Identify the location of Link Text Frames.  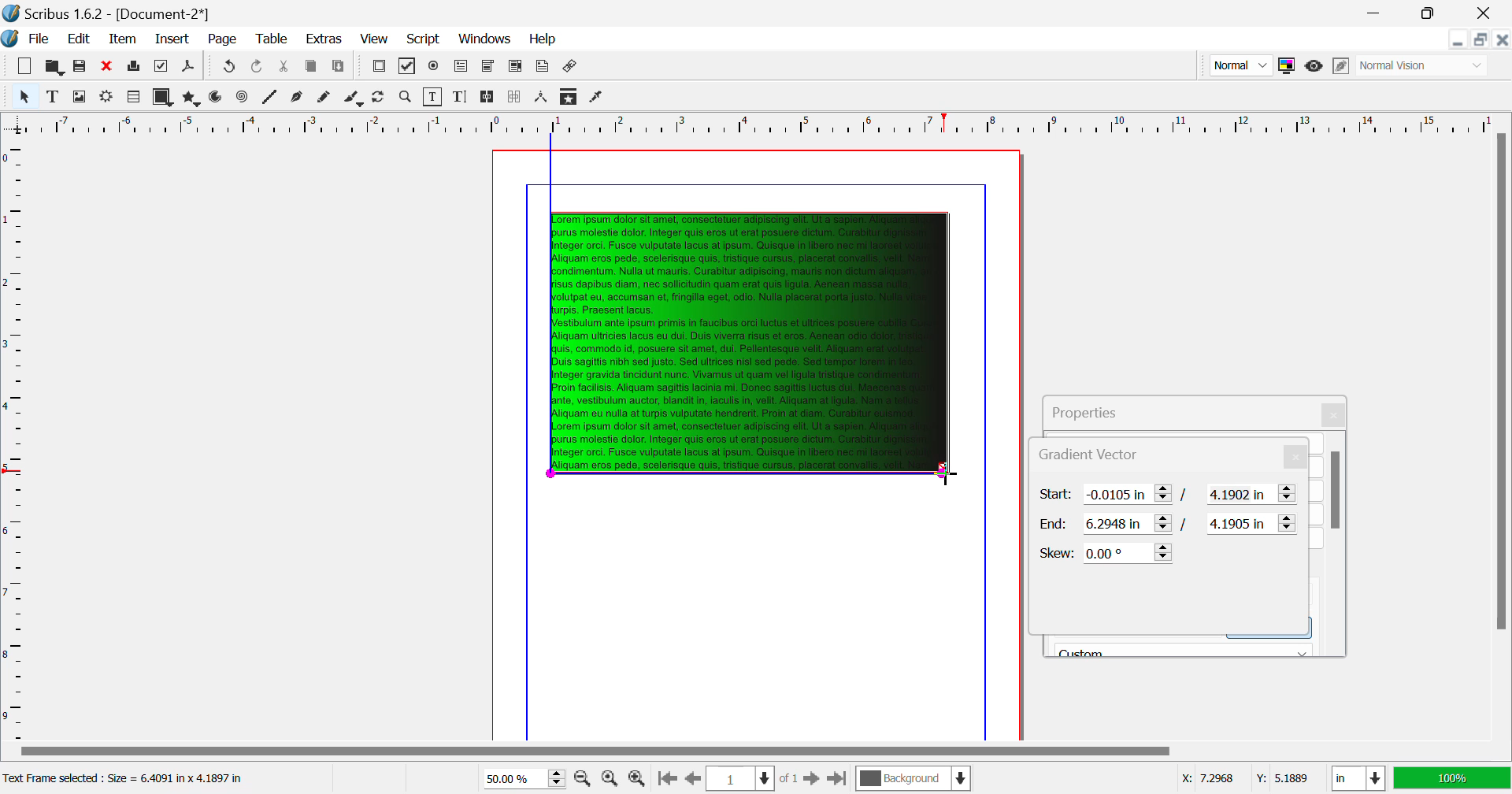
(488, 98).